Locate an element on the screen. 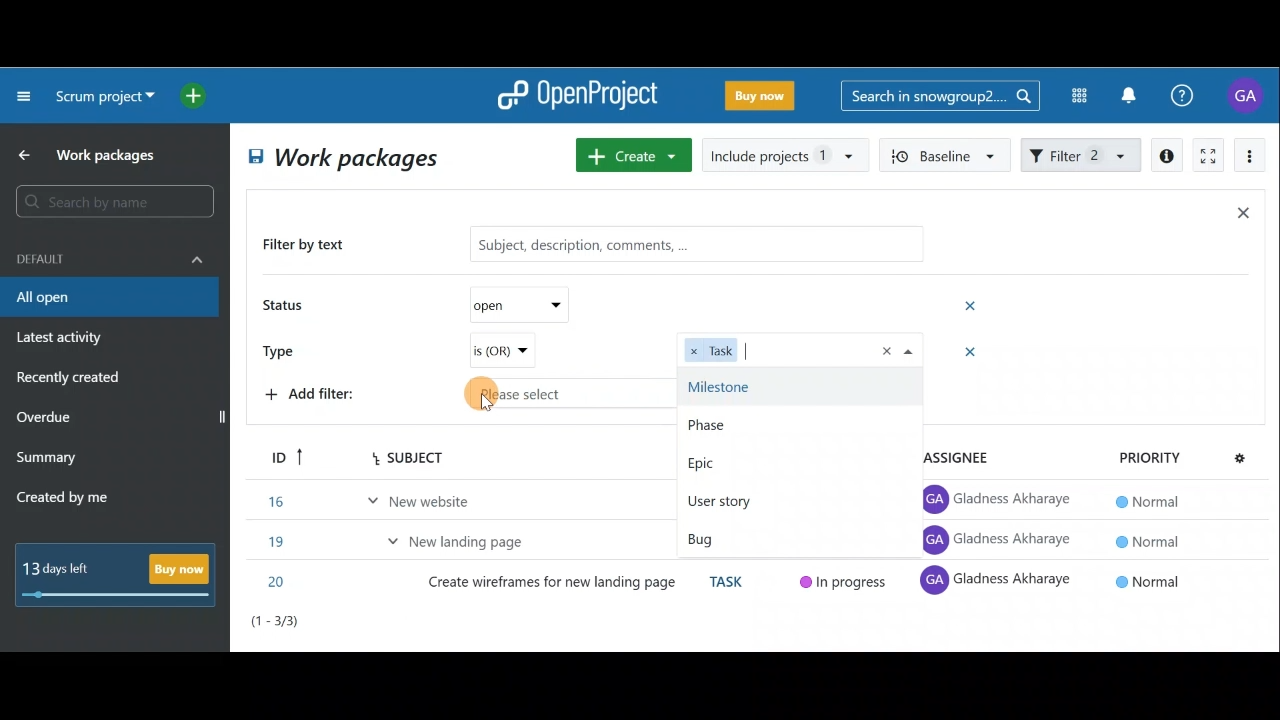  Latest activity is located at coordinates (62, 340).